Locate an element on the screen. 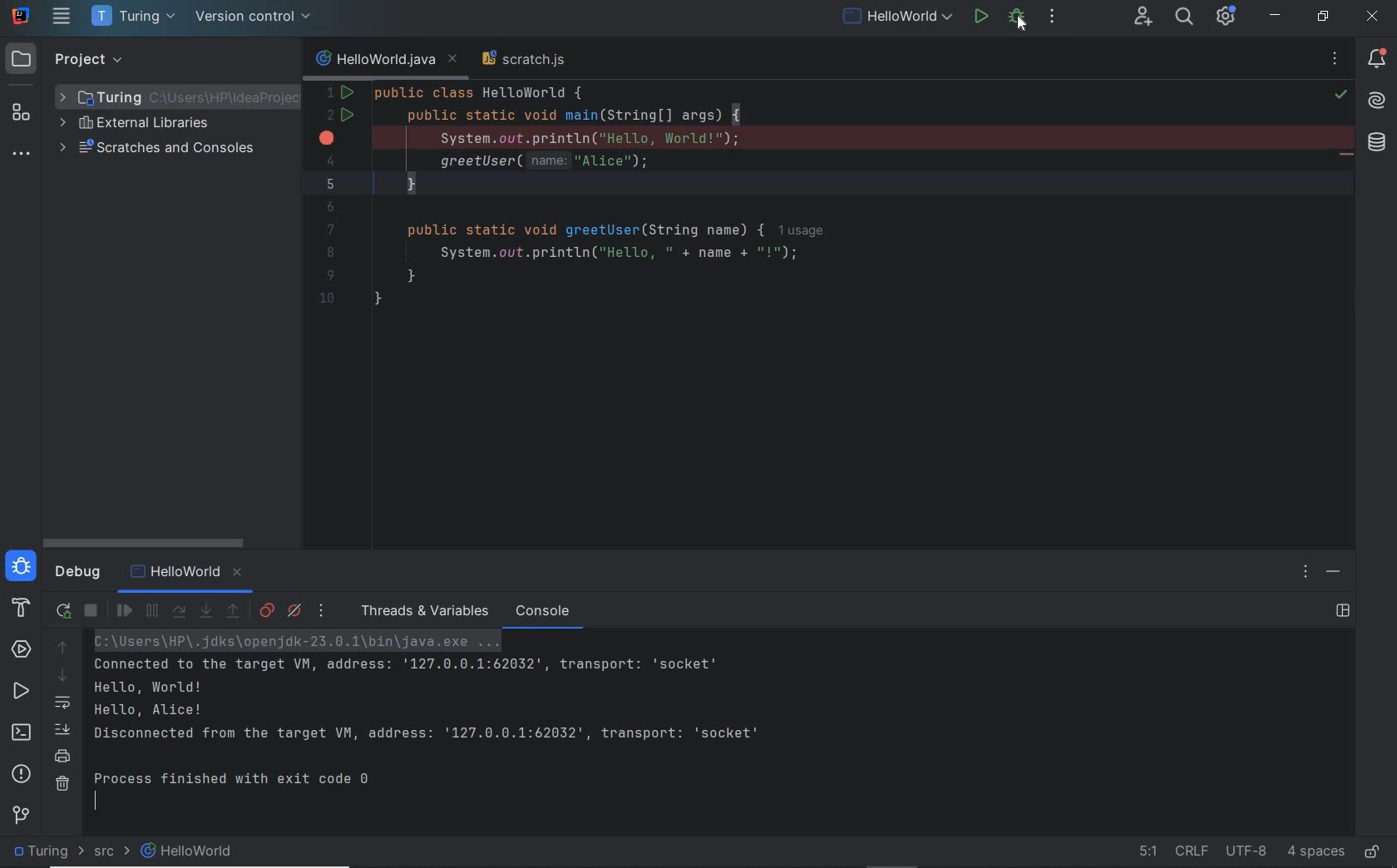  view breaking points is located at coordinates (267, 610).